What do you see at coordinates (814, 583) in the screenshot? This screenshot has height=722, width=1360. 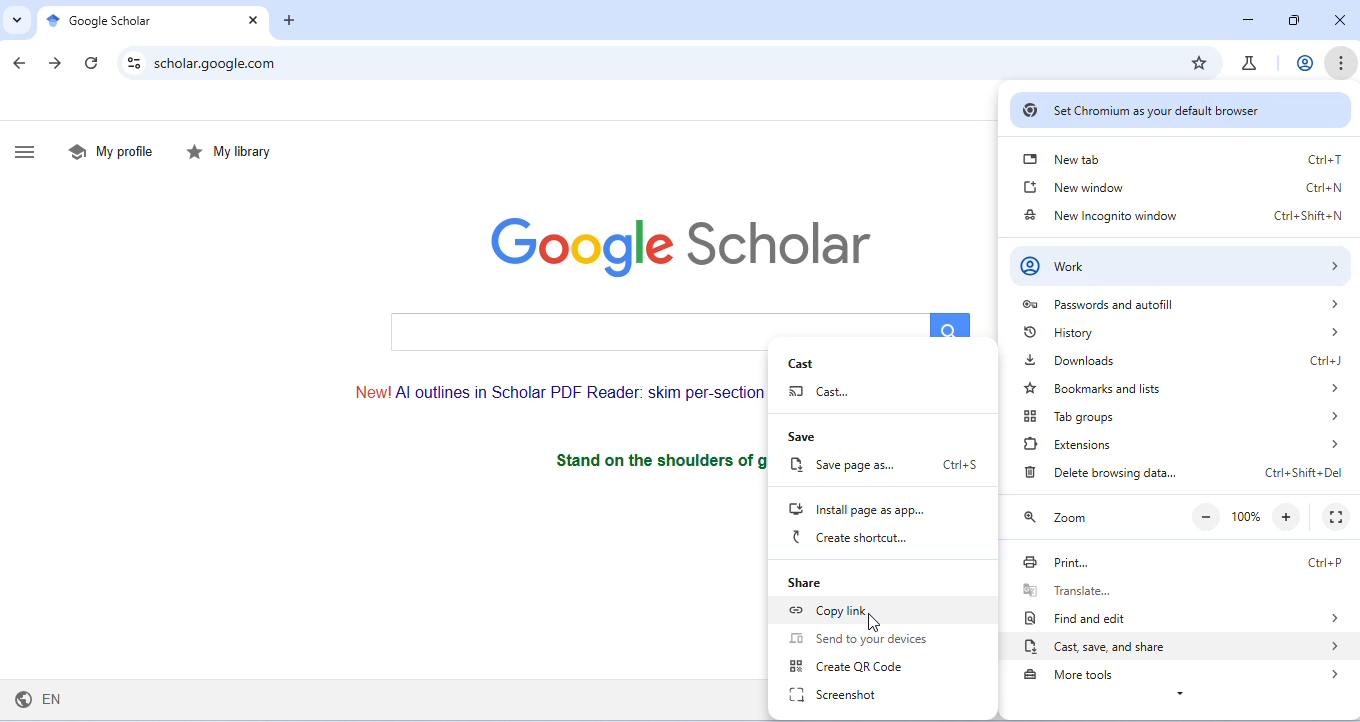 I see `share` at bounding box center [814, 583].